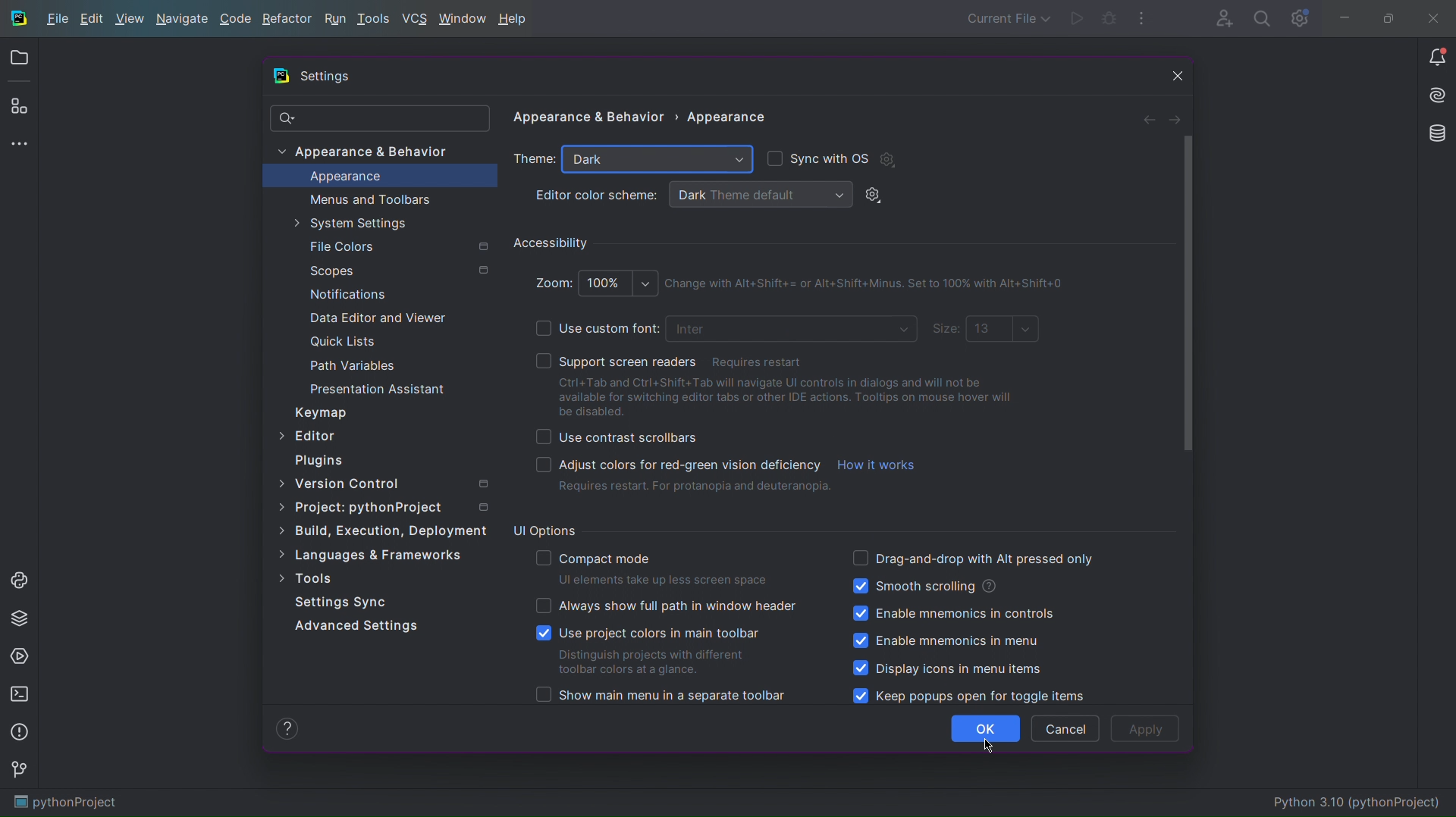  Describe the element at coordinates (877, 196) in the screenshot. I see `light settings` at that location.